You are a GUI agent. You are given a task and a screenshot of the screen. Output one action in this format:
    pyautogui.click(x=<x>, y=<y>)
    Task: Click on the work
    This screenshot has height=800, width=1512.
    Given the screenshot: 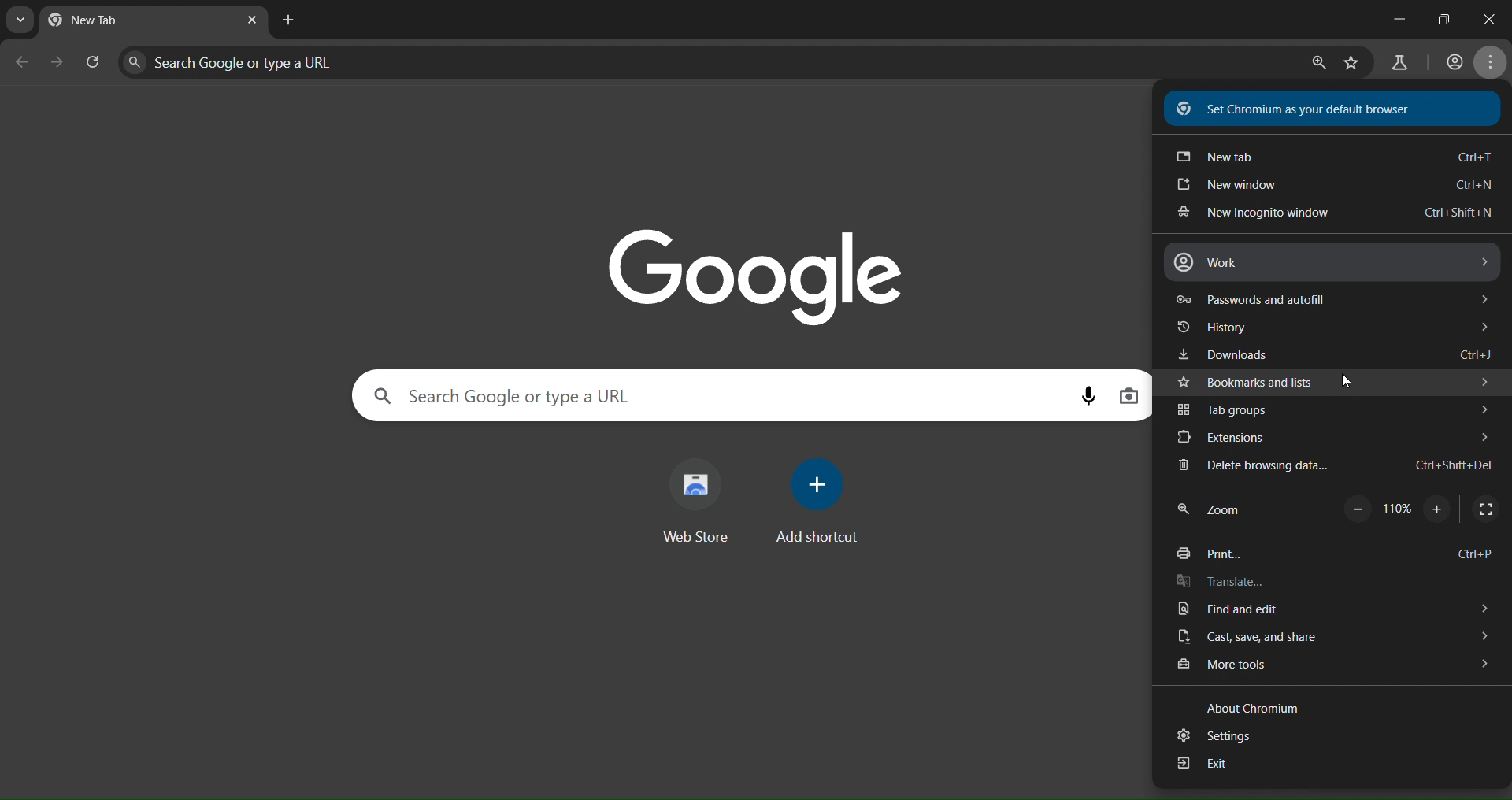 What is the action you would take?
    pyautogui.click(x=1331, y=261)
    